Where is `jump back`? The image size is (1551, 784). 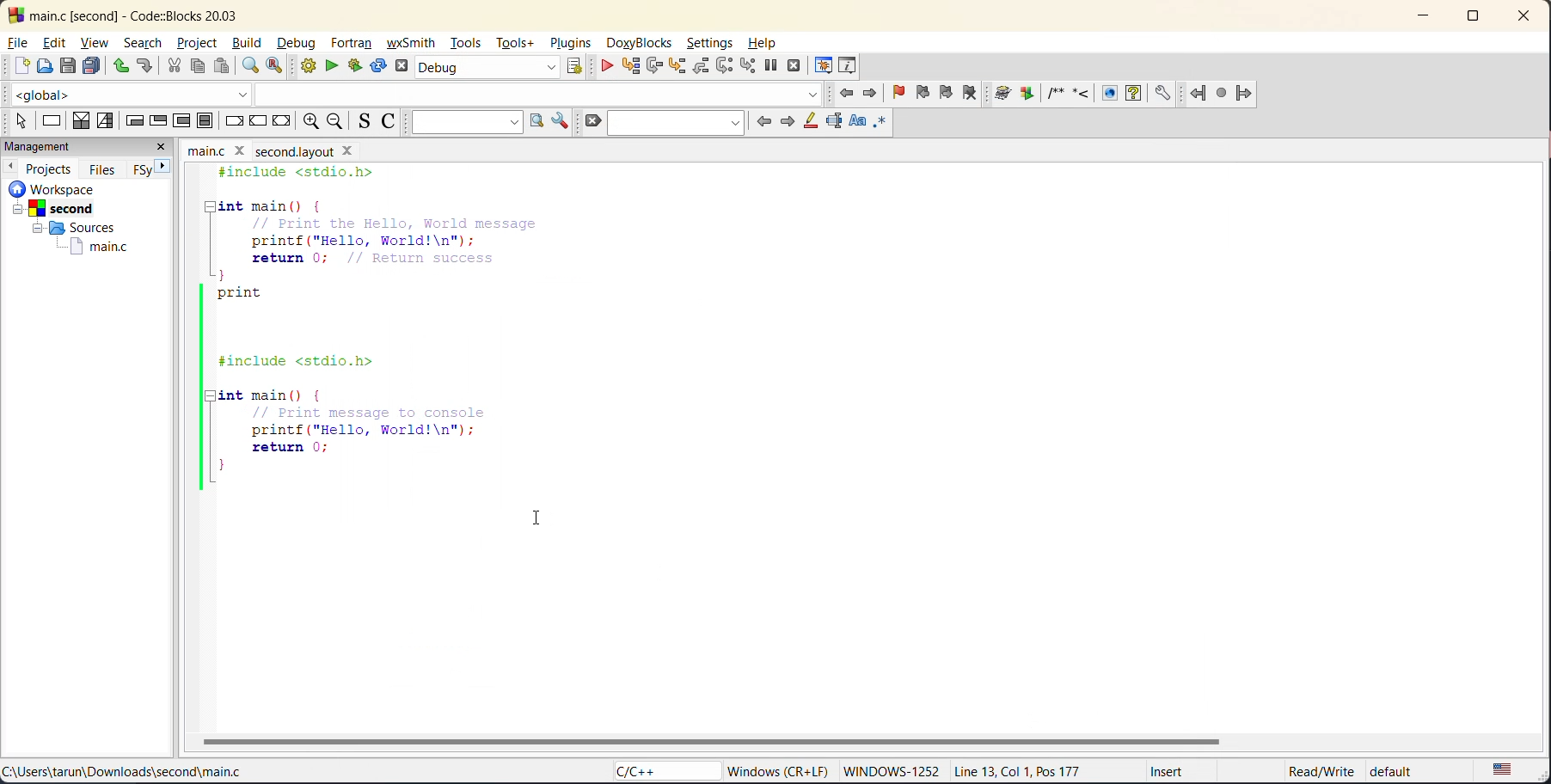 jump back is located at coordinates (848, 93).